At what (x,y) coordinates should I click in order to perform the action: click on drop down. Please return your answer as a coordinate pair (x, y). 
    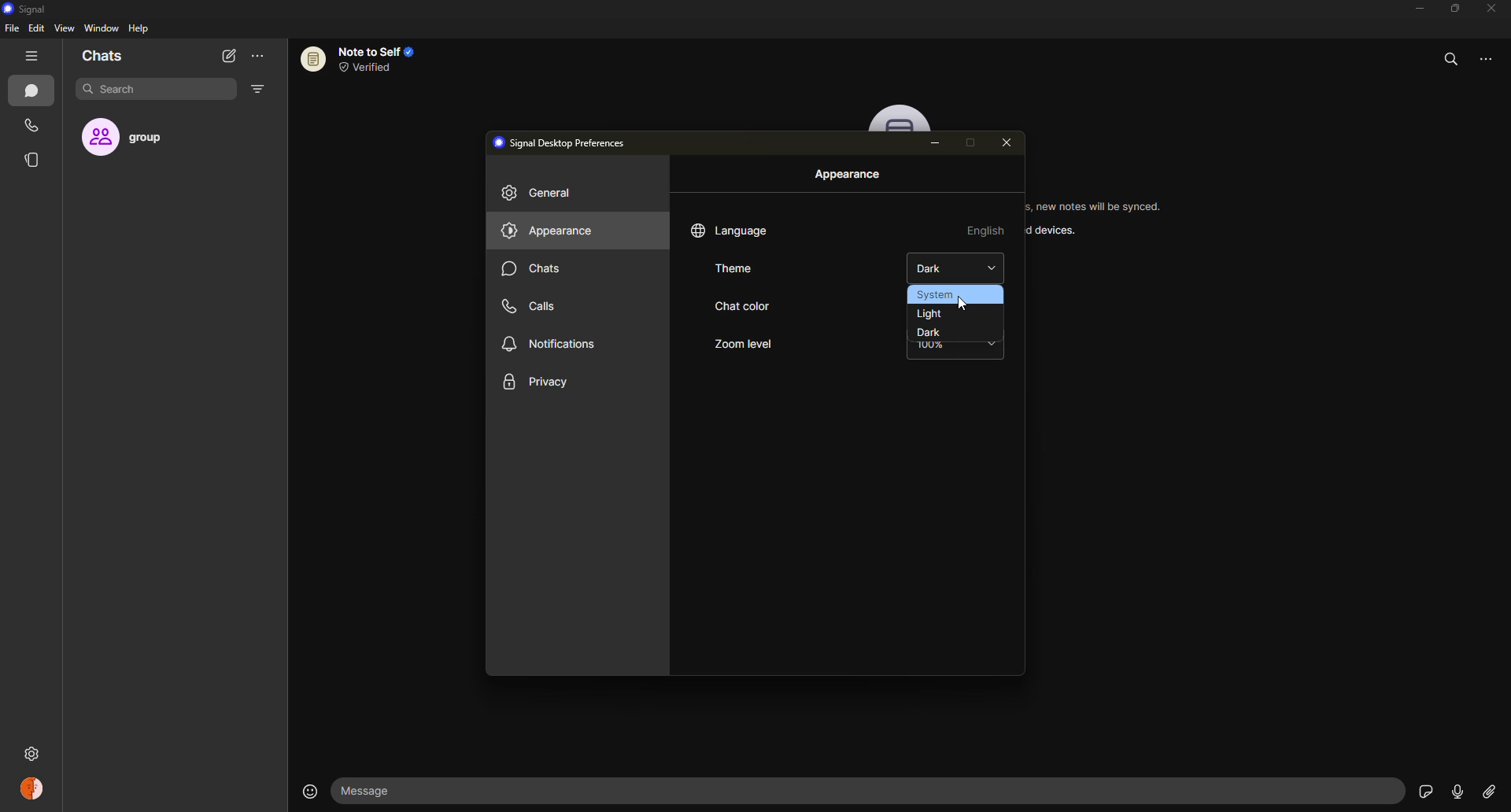
    Looking at the image, I should click on (992, 268).